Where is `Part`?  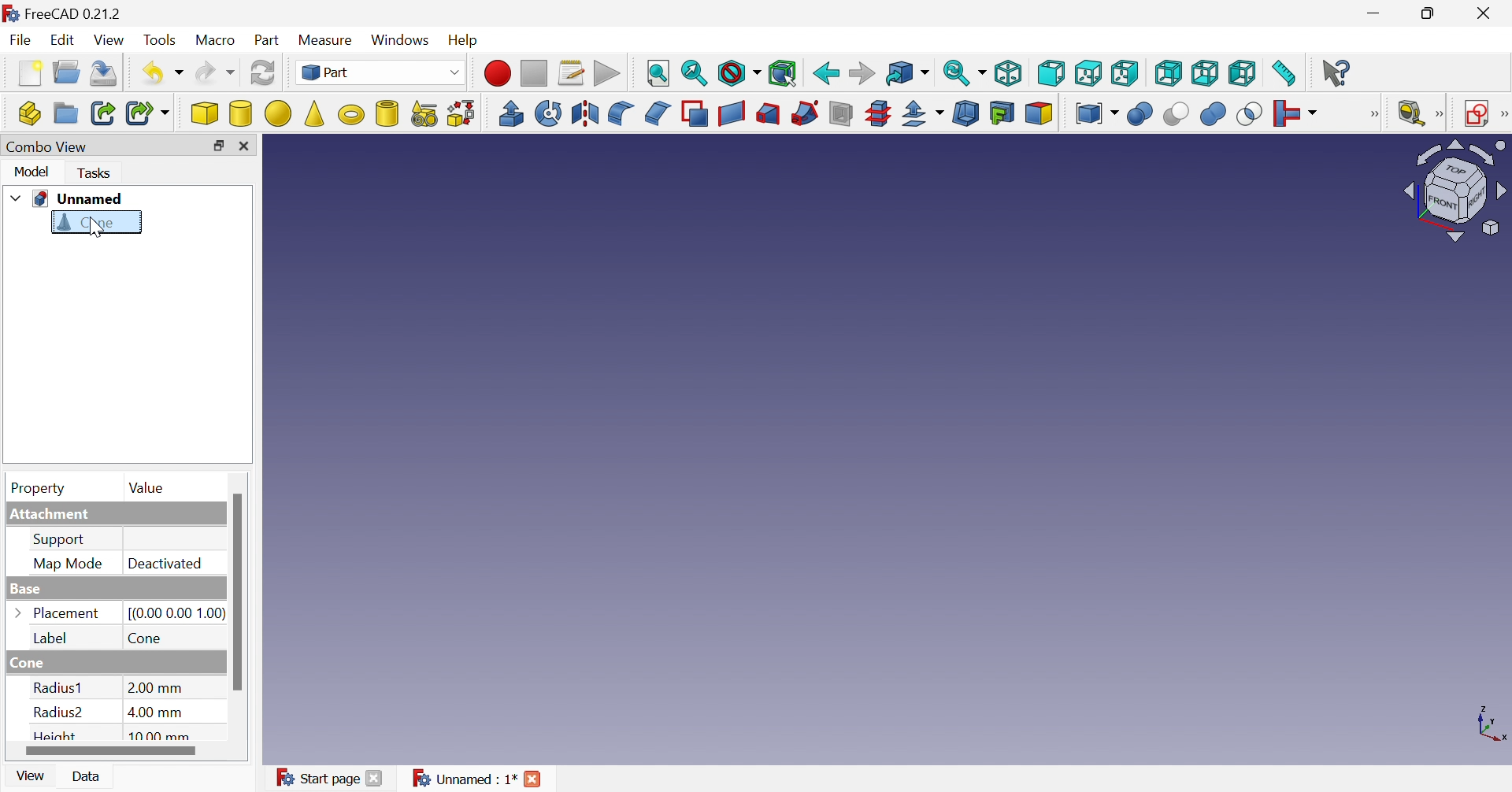
Part is located at coordinates (268, 39).